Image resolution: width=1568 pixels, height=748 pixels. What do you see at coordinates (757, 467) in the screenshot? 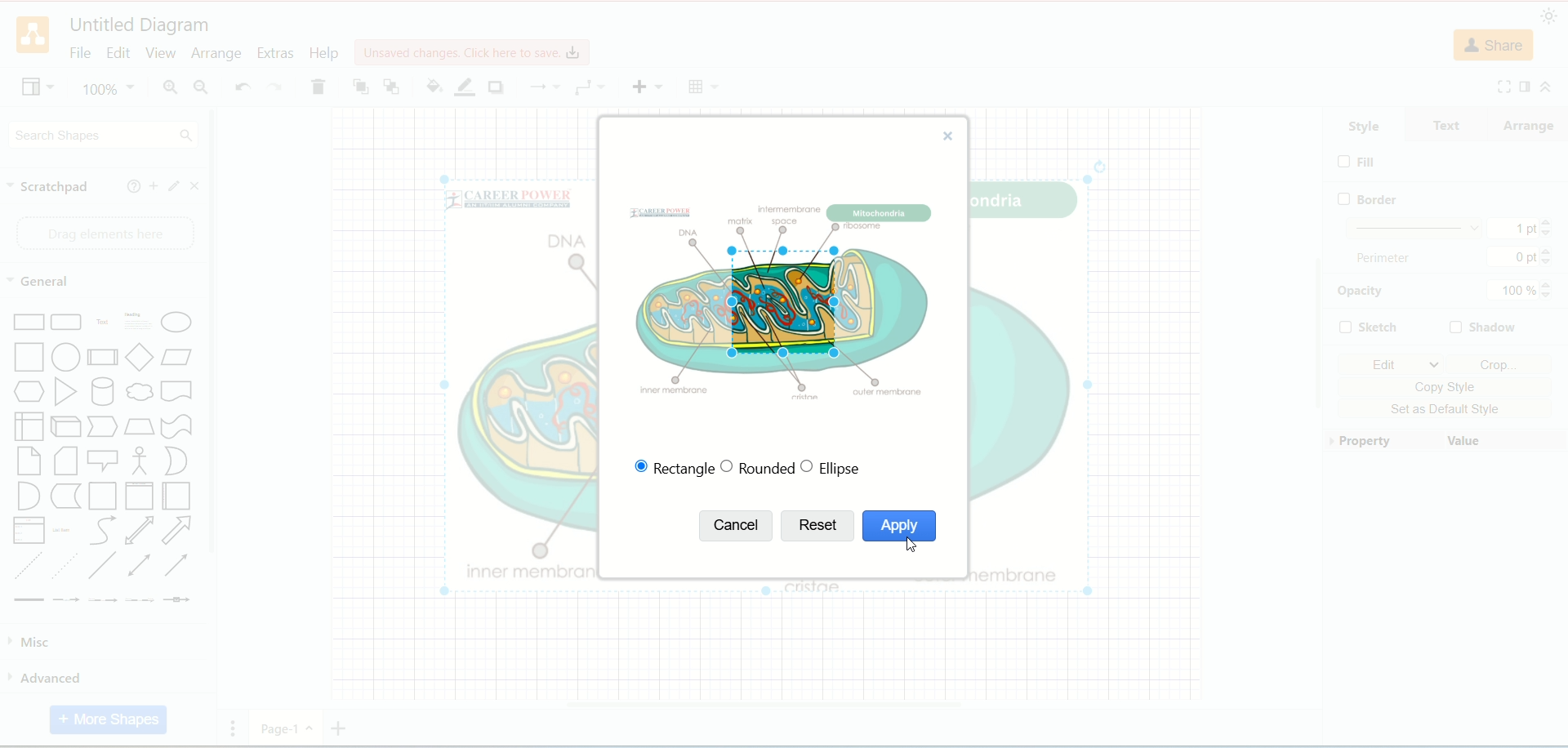
I see `rounded` at bounding box center [757, 467].